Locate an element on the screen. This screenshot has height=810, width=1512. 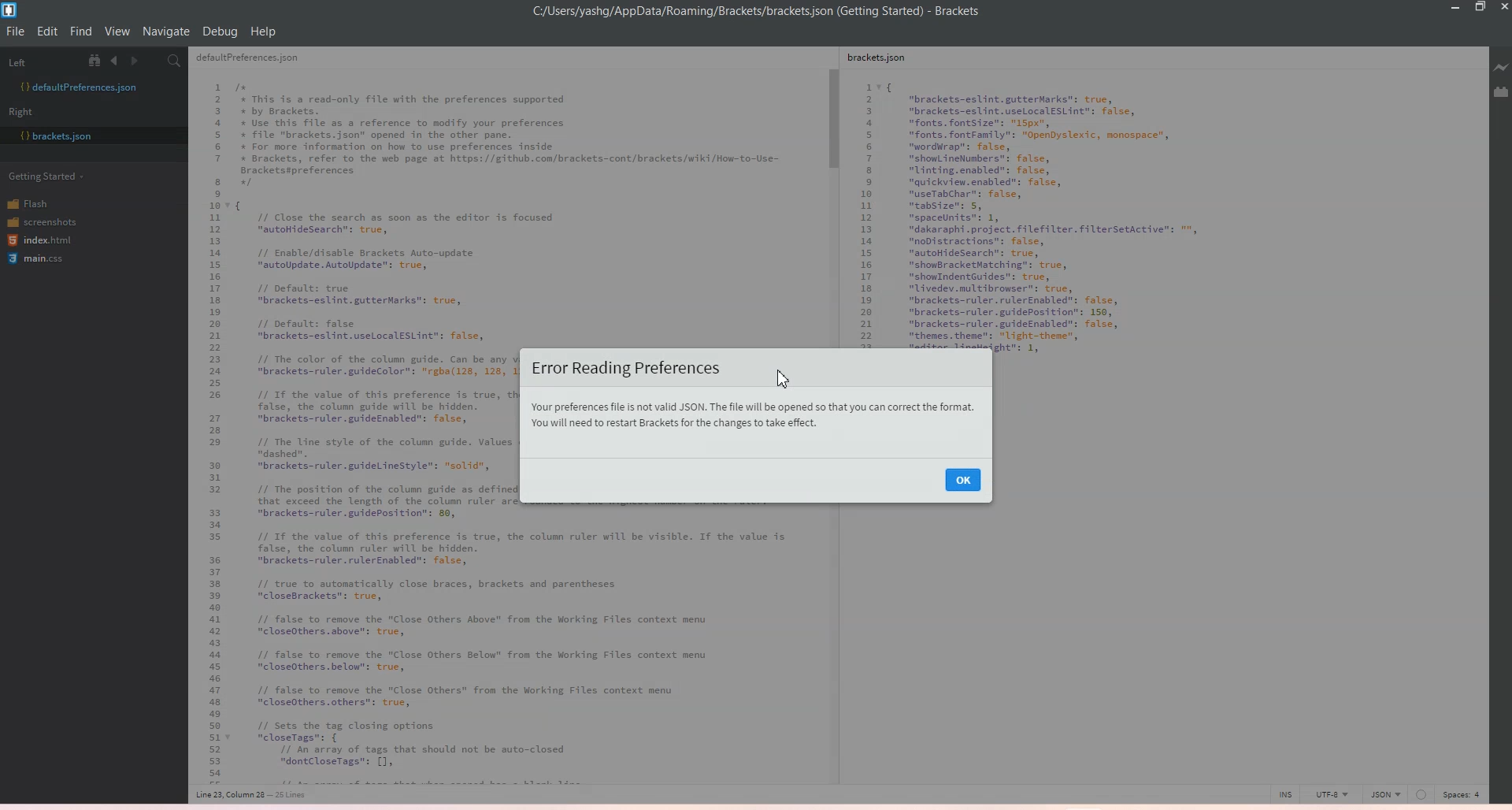
View is located at coordinates (117, 32).